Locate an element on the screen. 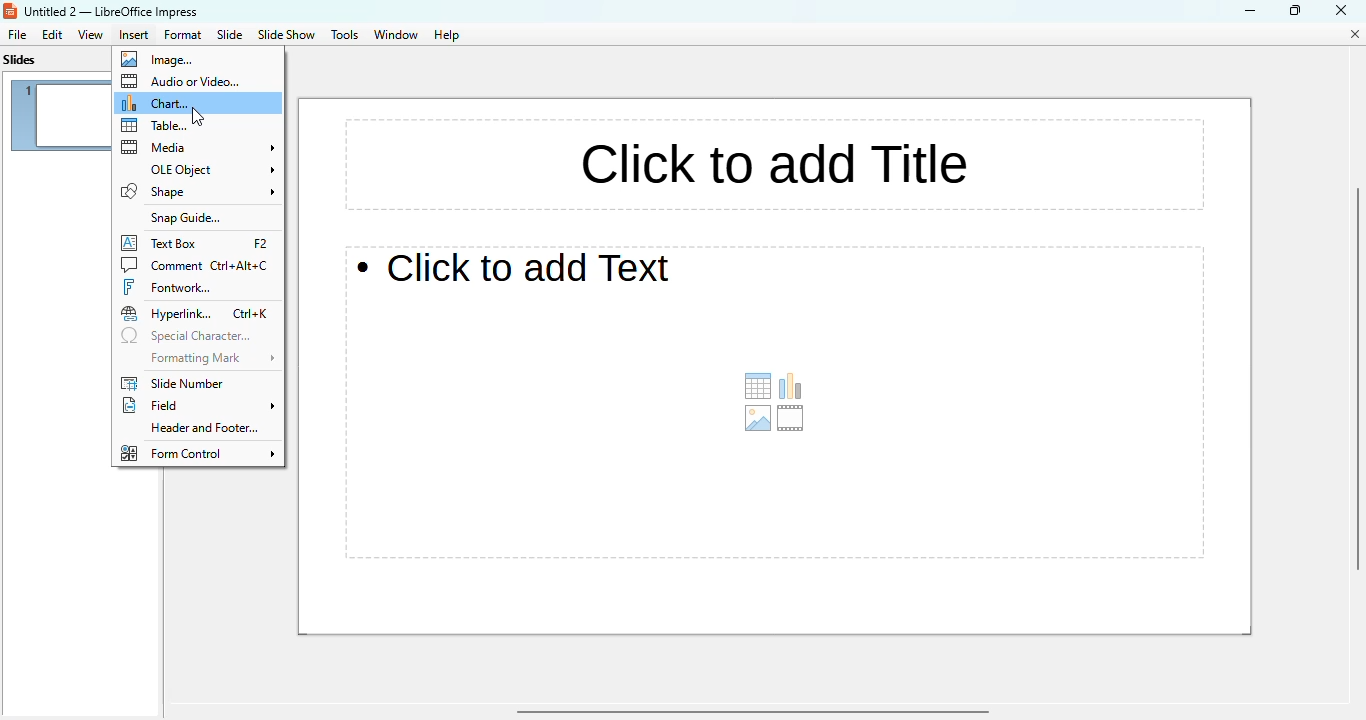 The height and width of the screenshot is (720, 1366). file is located at coordinates (15, 35).